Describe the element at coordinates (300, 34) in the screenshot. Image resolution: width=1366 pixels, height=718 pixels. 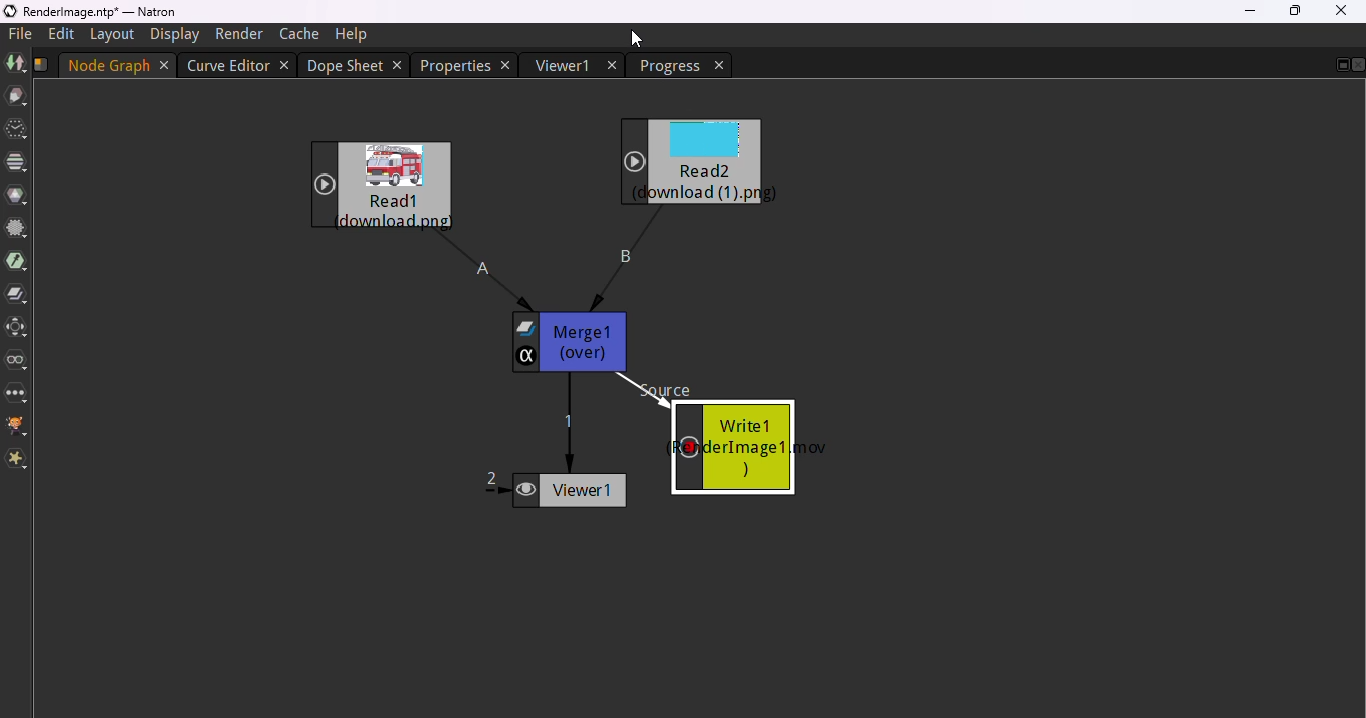
I see `cache` at that location.